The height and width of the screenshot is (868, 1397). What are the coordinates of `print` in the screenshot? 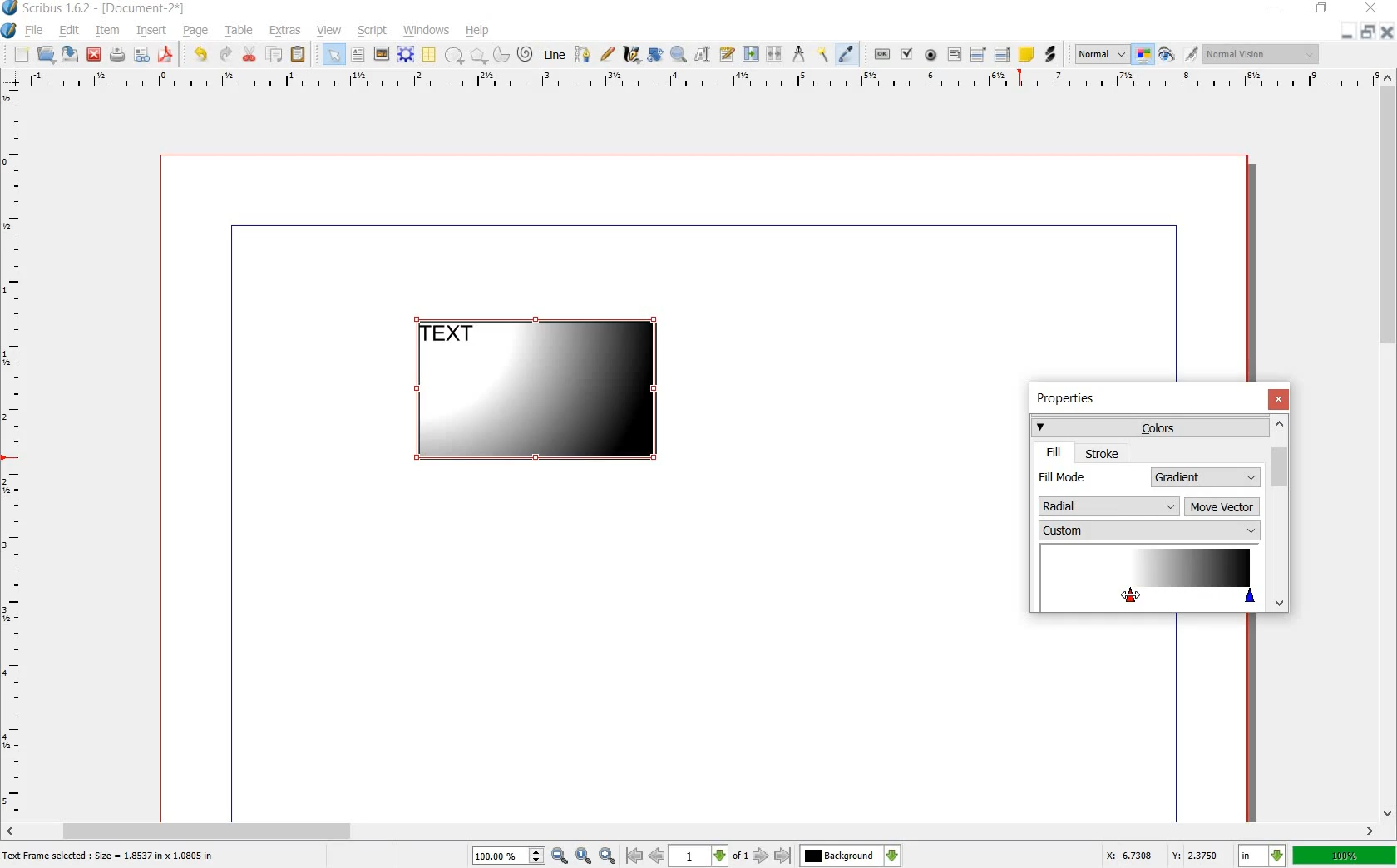 It's located at (117, 55).